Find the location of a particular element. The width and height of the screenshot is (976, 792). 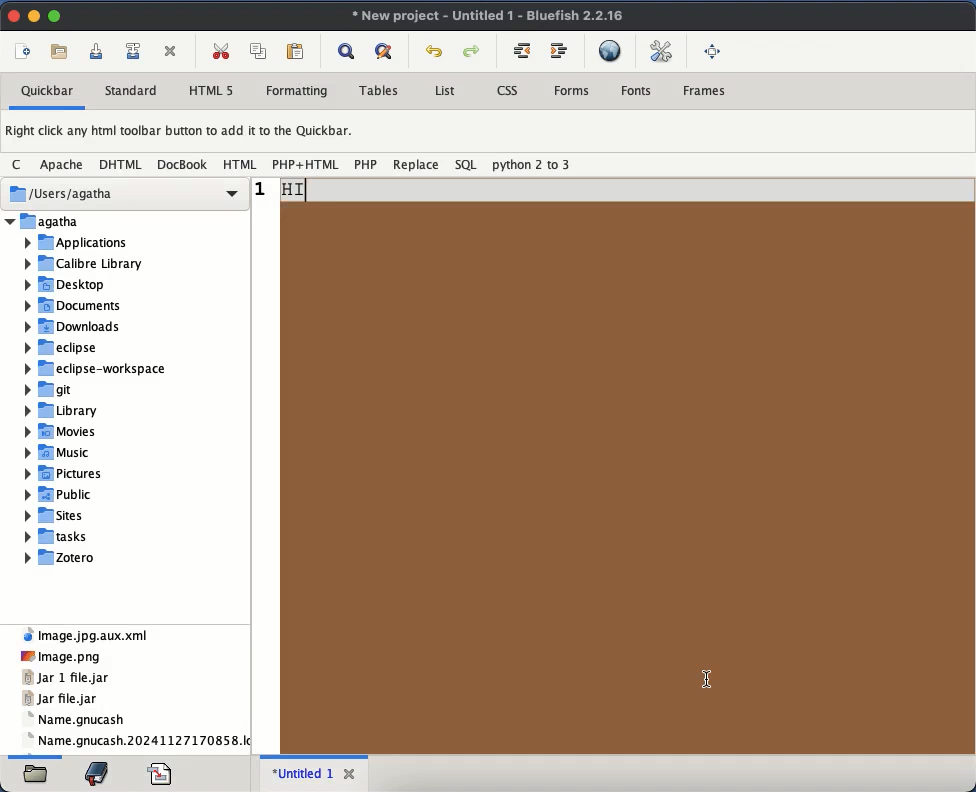

hyperlink is located at coordinates (611, 49).